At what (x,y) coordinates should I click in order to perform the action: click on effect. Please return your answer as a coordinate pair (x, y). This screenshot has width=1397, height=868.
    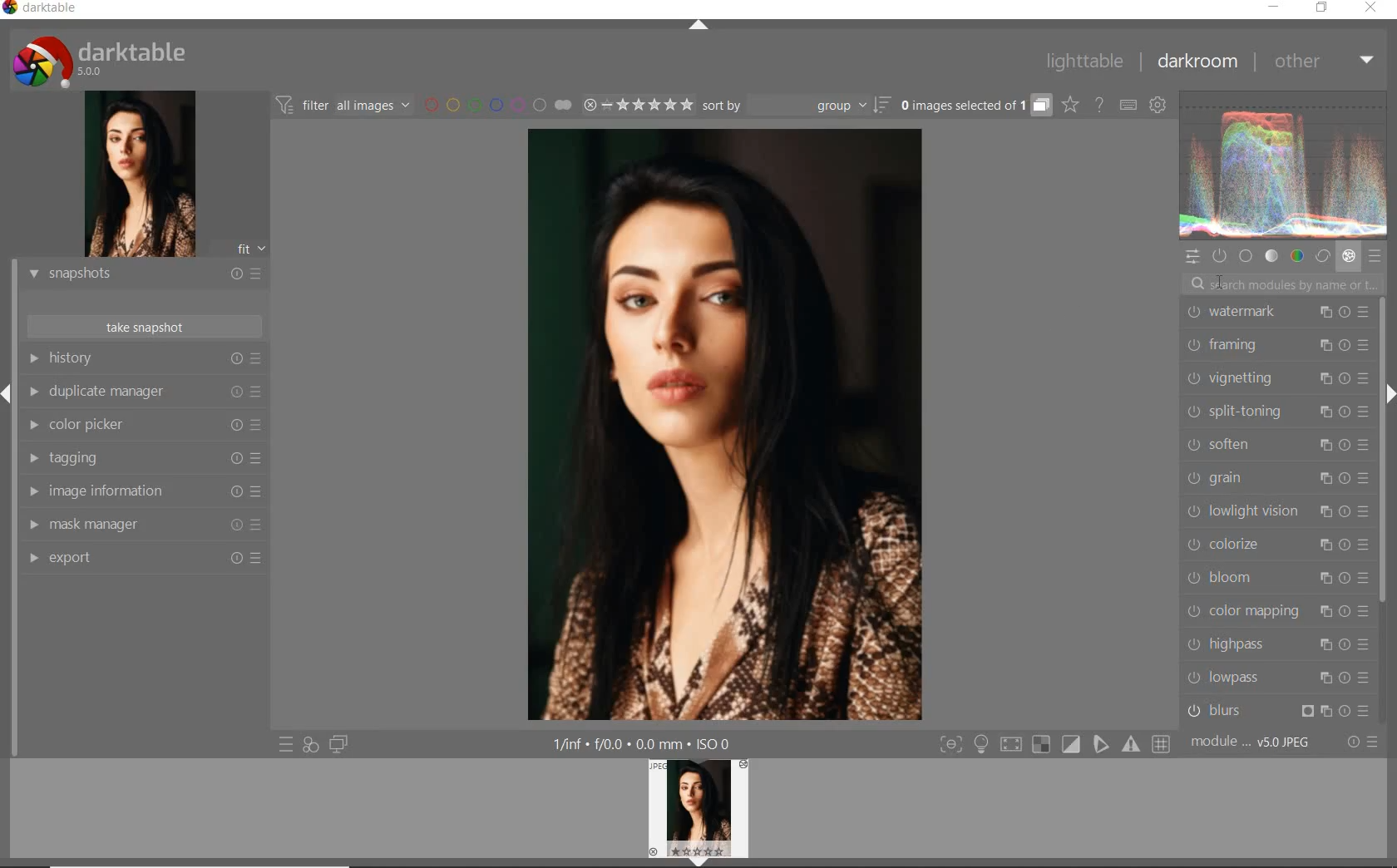
    Looking at the image, I should click on (1349, 258).